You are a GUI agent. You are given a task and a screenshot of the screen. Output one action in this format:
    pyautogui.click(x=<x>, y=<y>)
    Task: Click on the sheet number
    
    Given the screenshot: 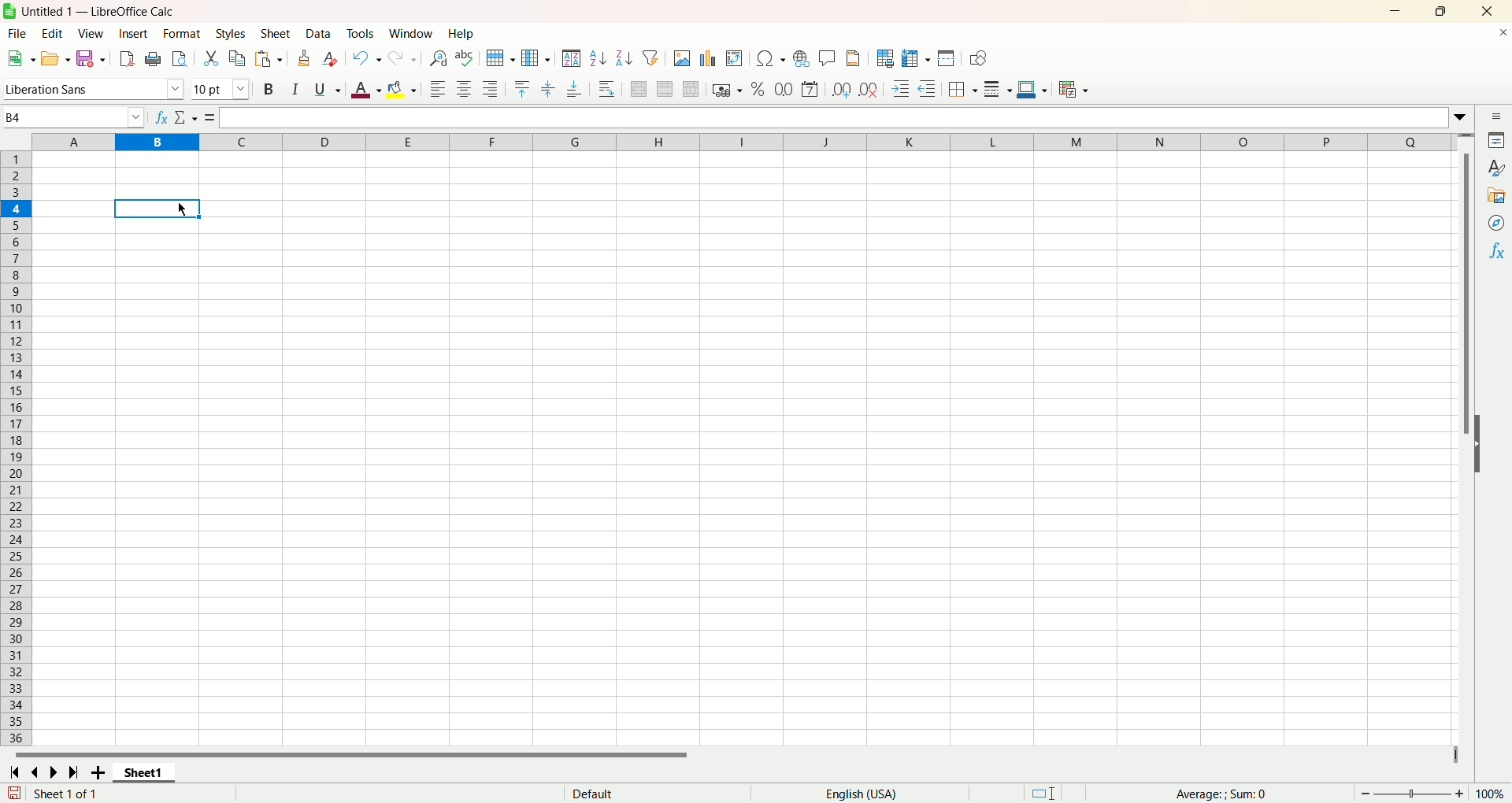 What is the action you would take?
    pyautogui.click(x=117, y=794)
    